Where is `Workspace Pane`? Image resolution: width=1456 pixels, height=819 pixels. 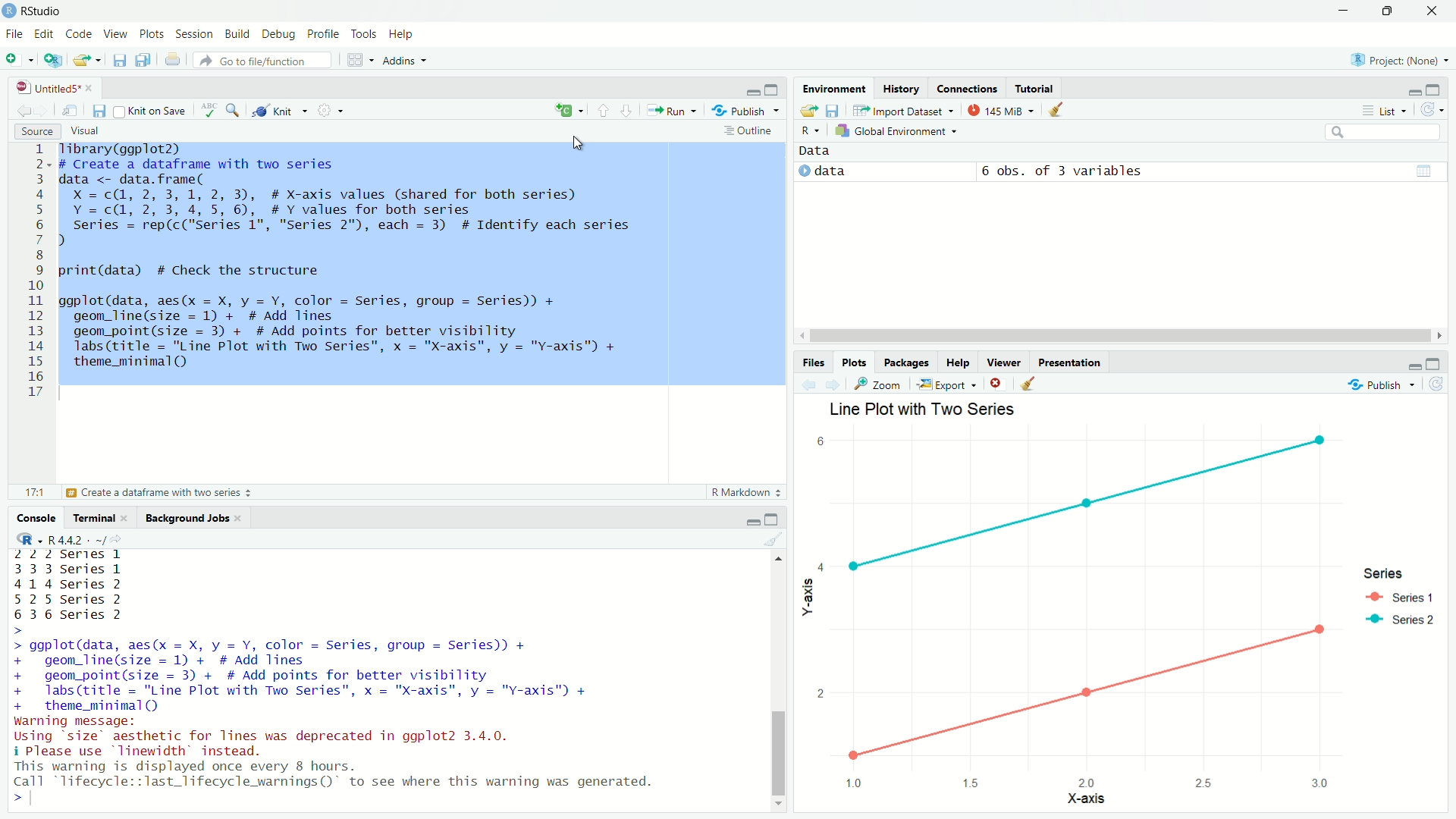 Workspace Pane is located at coordinates (359, 61).